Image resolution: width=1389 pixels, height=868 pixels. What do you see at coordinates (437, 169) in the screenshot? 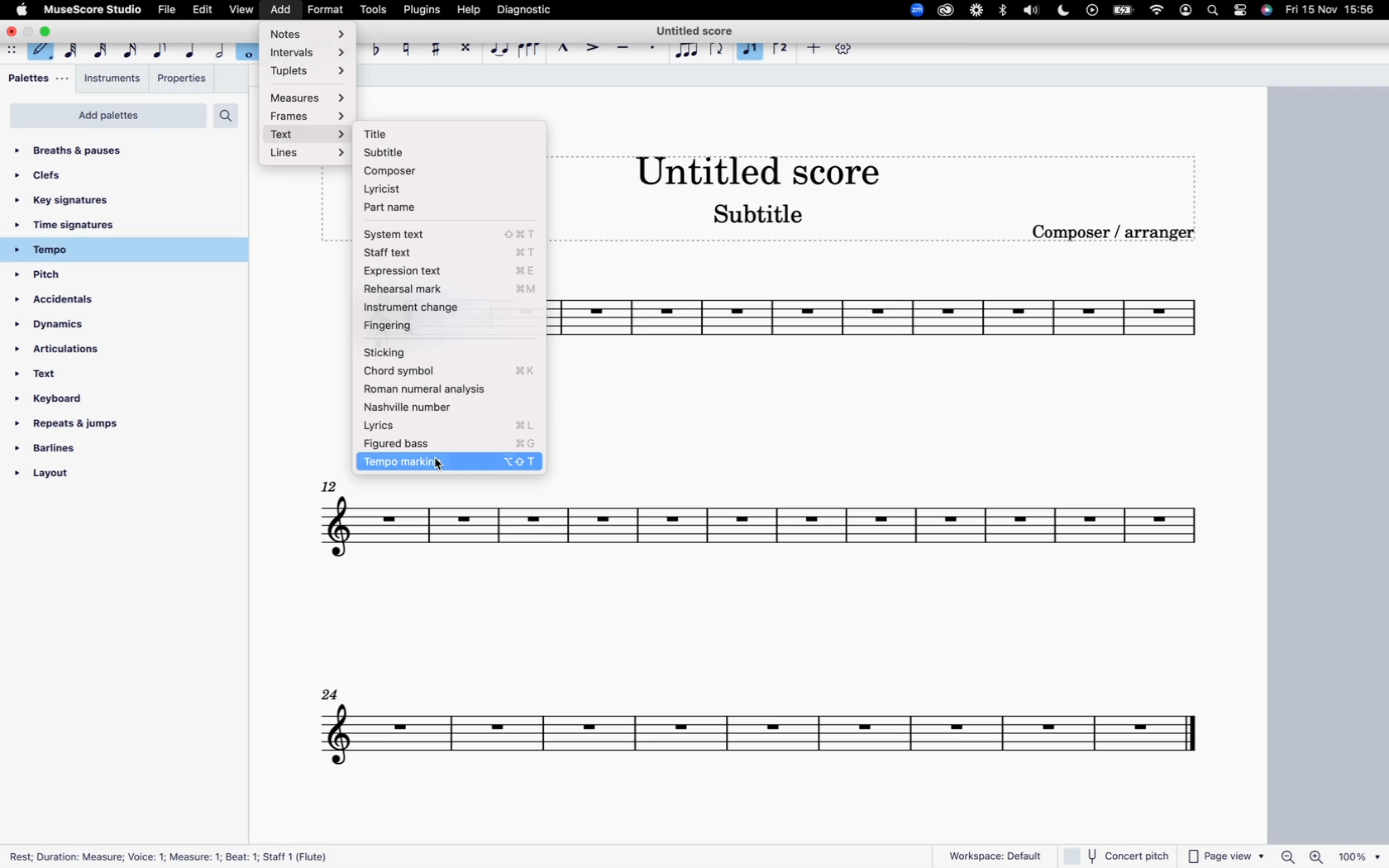
I see `composer` at bounding box center [437, 169].